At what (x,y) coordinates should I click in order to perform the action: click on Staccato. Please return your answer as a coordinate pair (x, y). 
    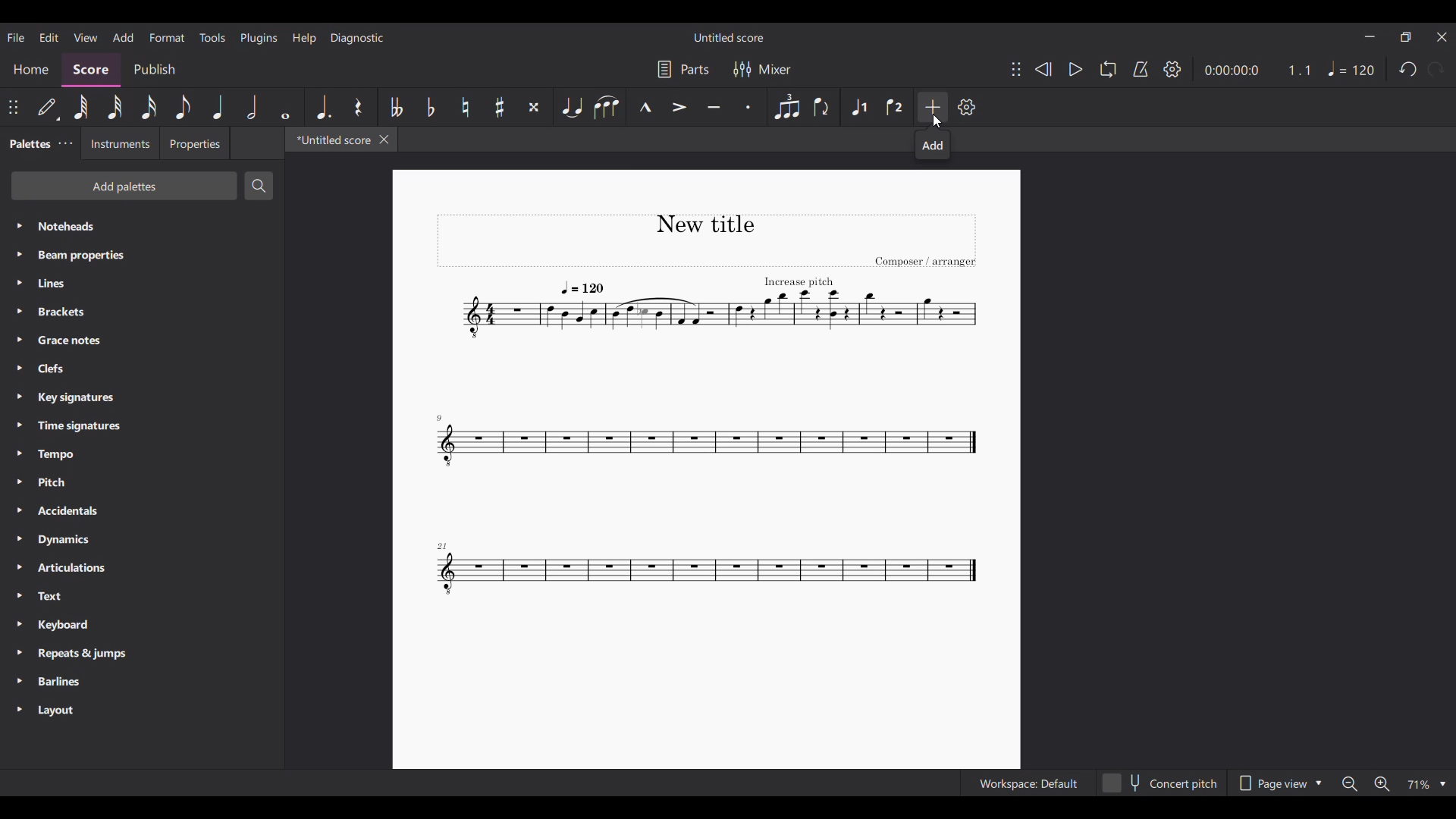
    Looking at the image, I should click on (748, 107).